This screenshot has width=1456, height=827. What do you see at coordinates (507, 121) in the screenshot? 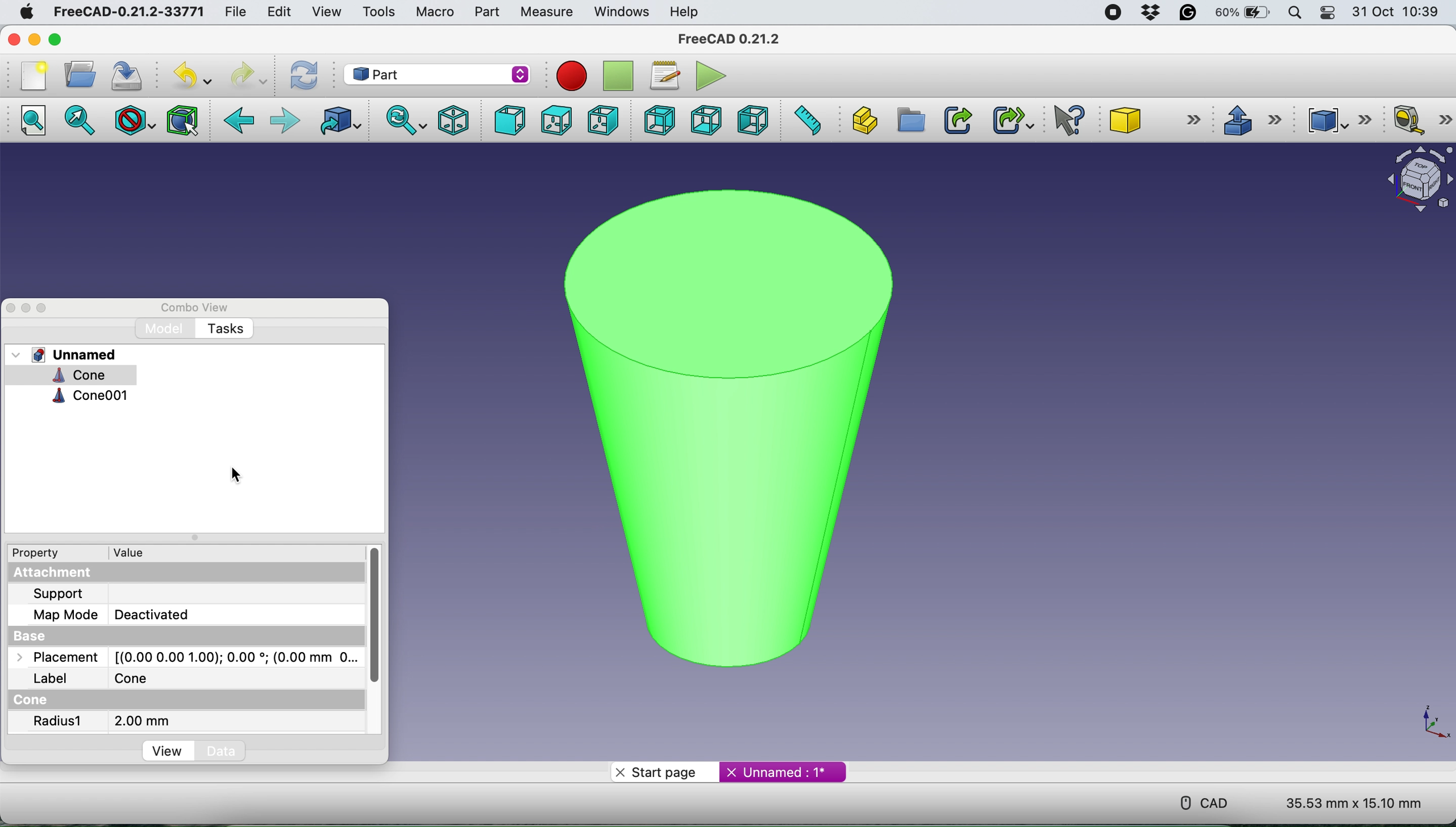
I see `front` at bounding box center [507, 121].